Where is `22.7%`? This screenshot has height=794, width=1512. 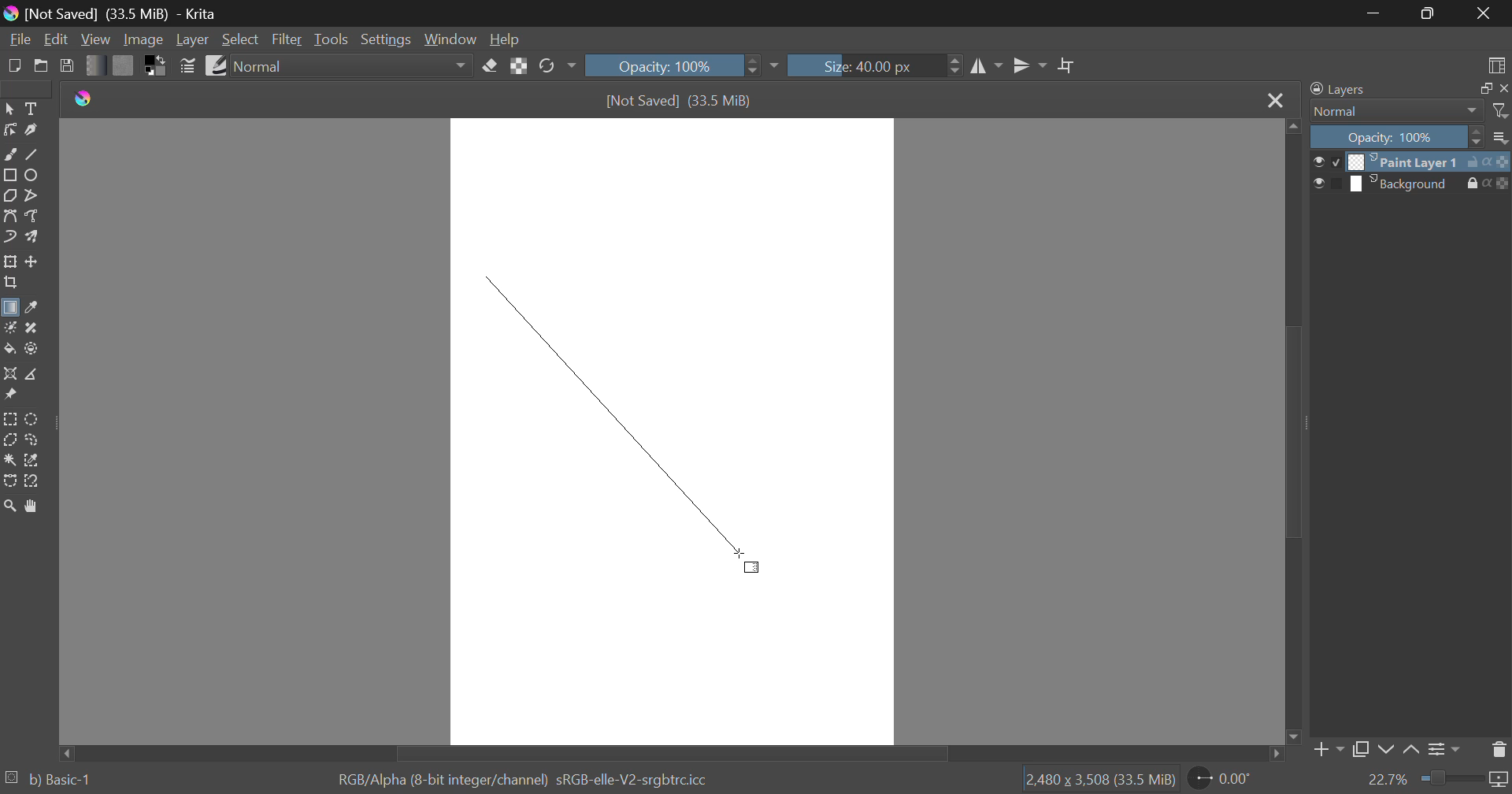
22.7% is located at coordinates (1437, 781).